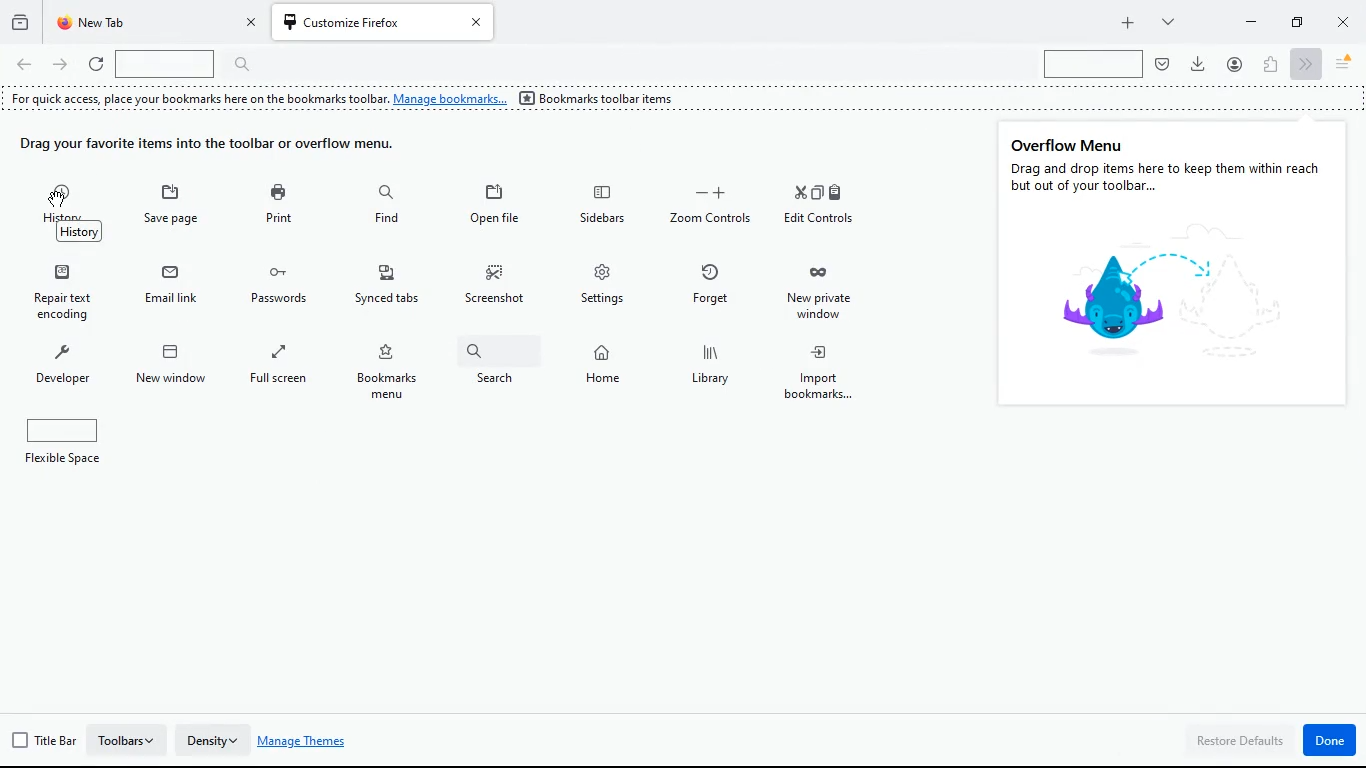  What do you see at coordinates (493, 208) in the screenshot?
I see `open file` at bounding box center [493, 208].